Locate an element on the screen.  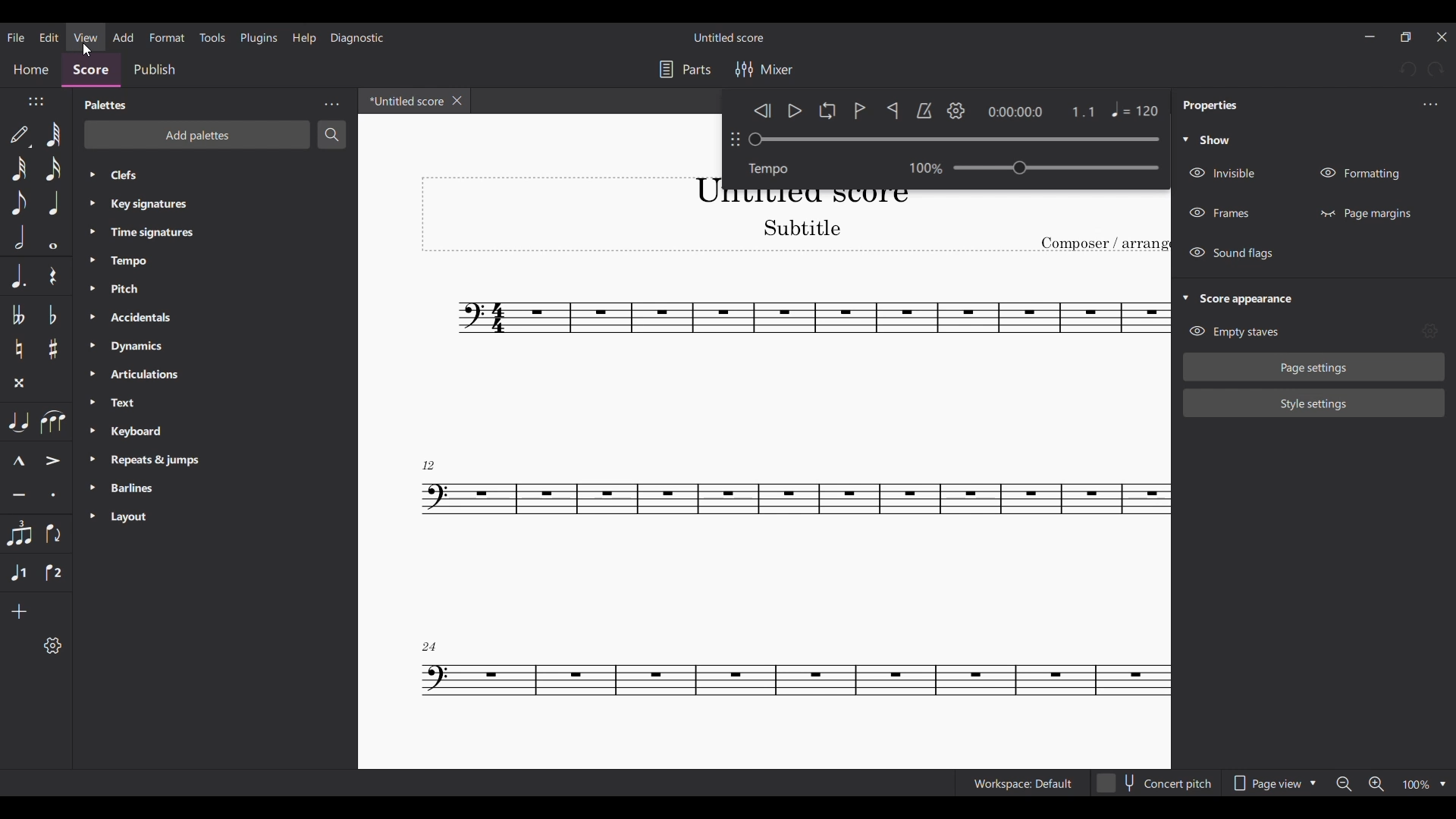
Mixer is located at coordinates (763, 69).